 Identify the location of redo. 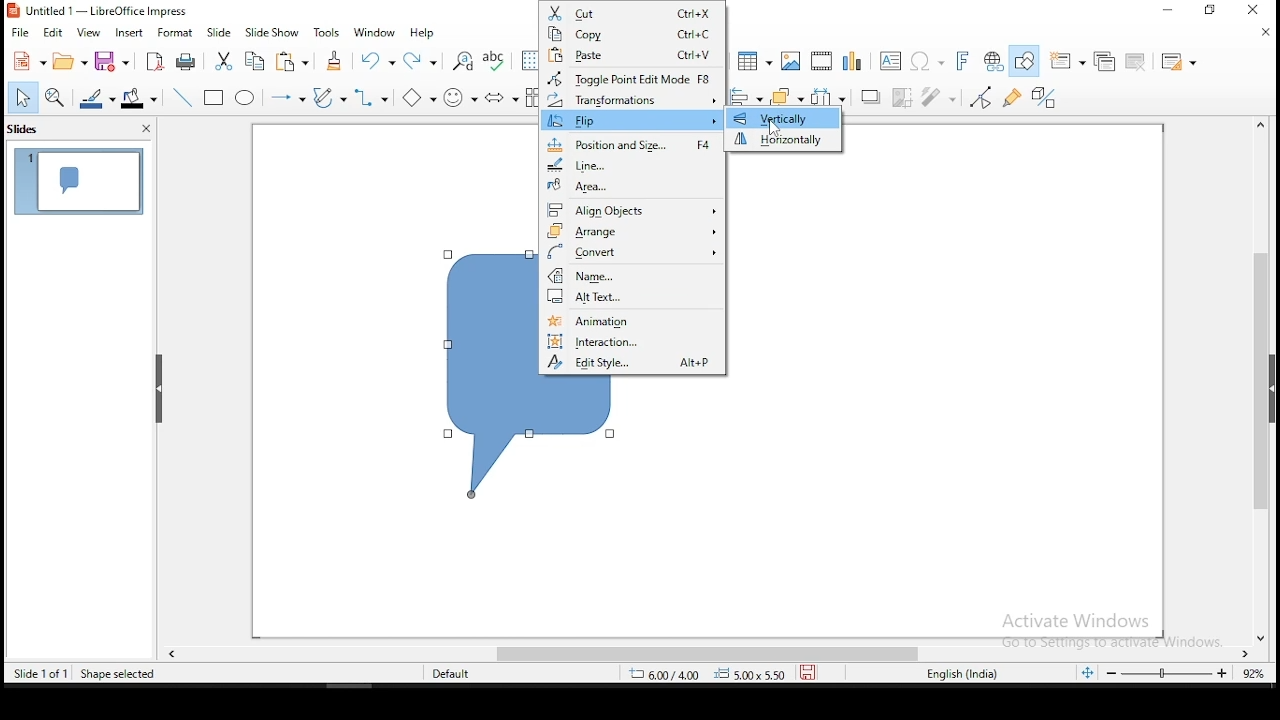
(425, 61).